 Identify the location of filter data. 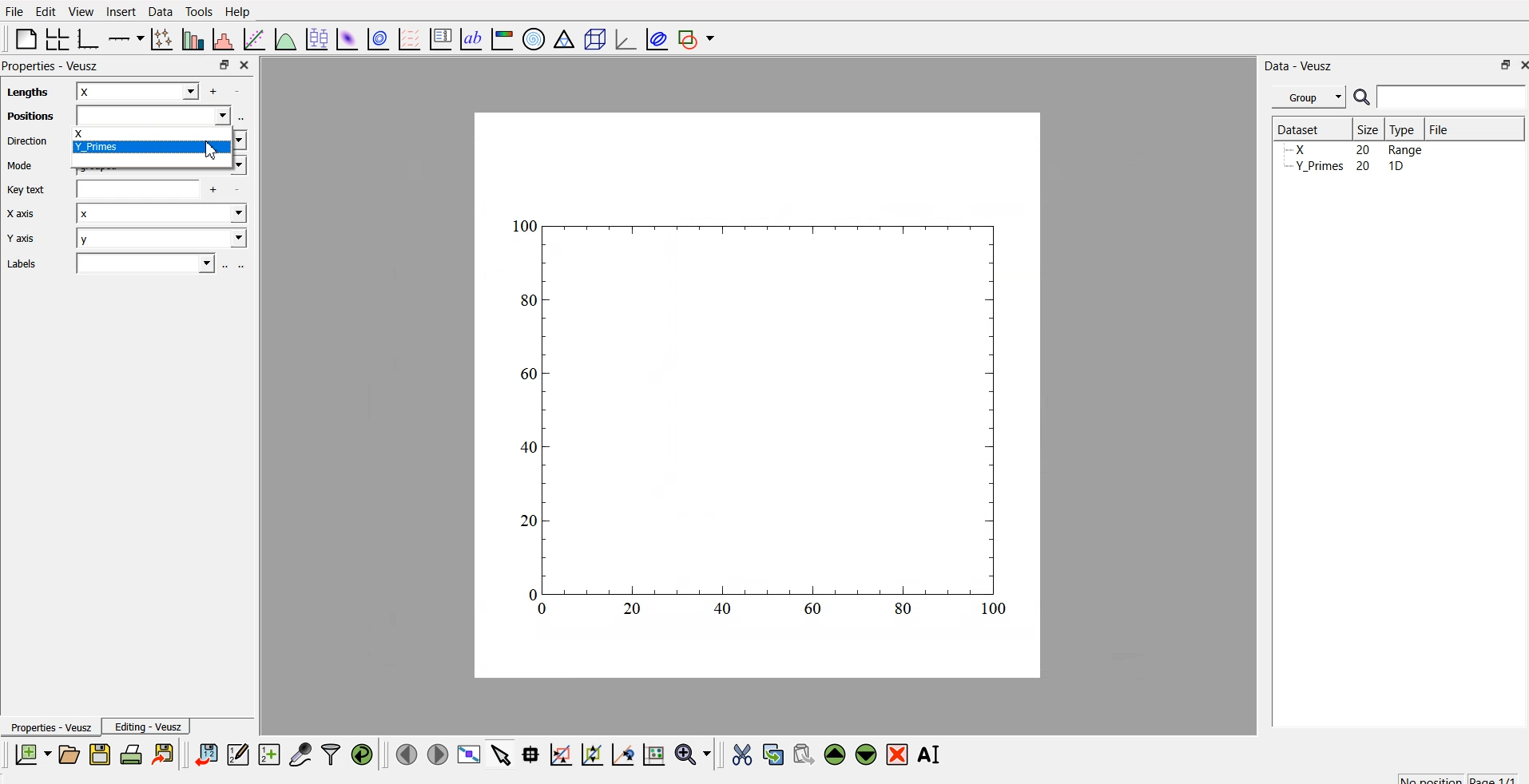
(331, 752).